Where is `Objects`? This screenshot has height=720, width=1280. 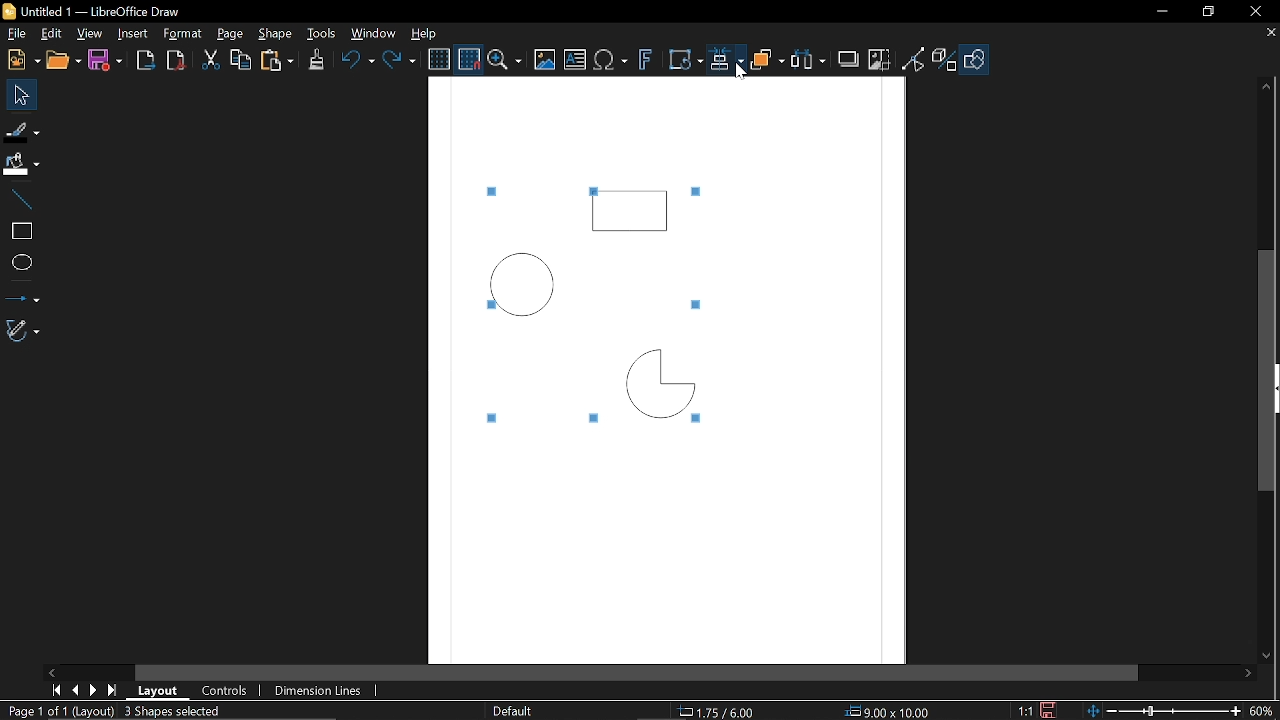
Objects is located at coordinates (766, 61).